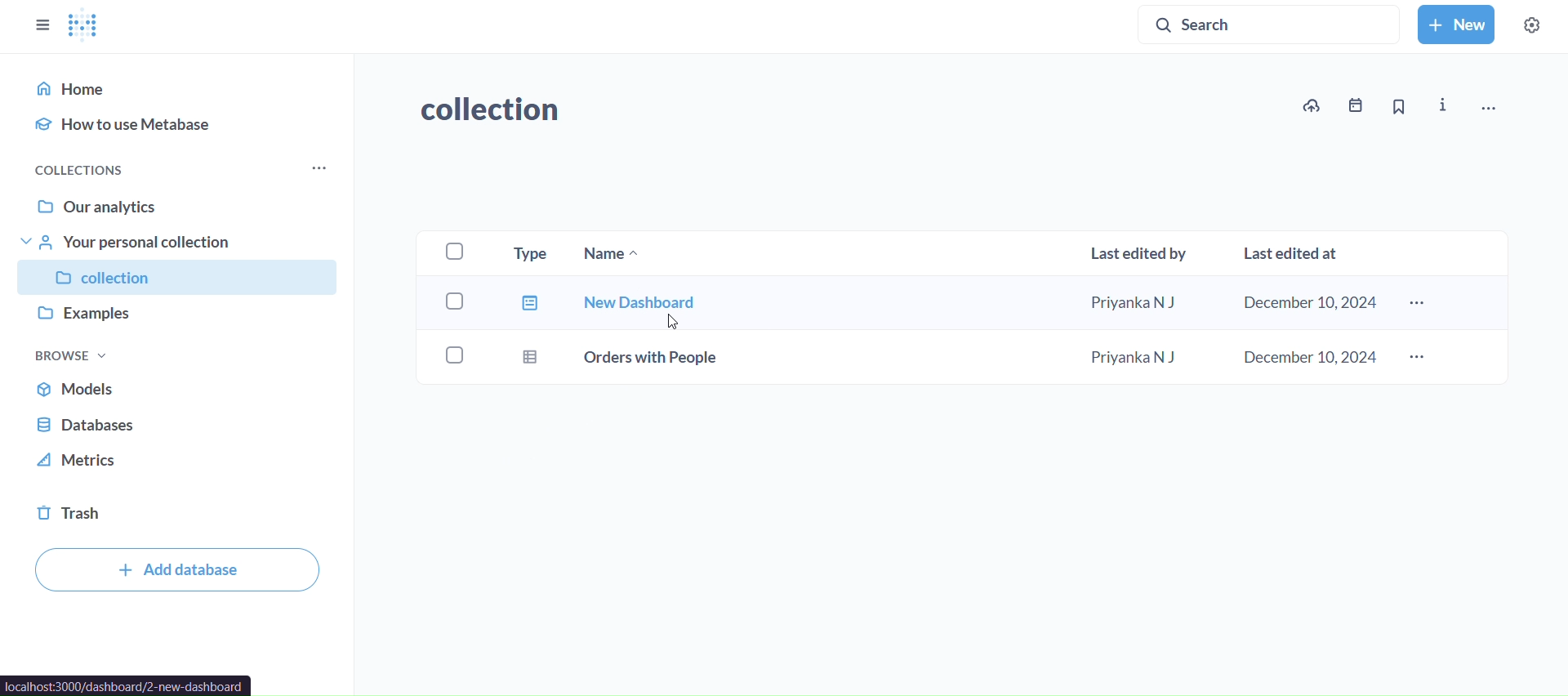 This screenshot has height=696, width=1568. What do you see at coordinates (186, 319) in the screenshot?
I see `examples` at bounding box center [186, 319].